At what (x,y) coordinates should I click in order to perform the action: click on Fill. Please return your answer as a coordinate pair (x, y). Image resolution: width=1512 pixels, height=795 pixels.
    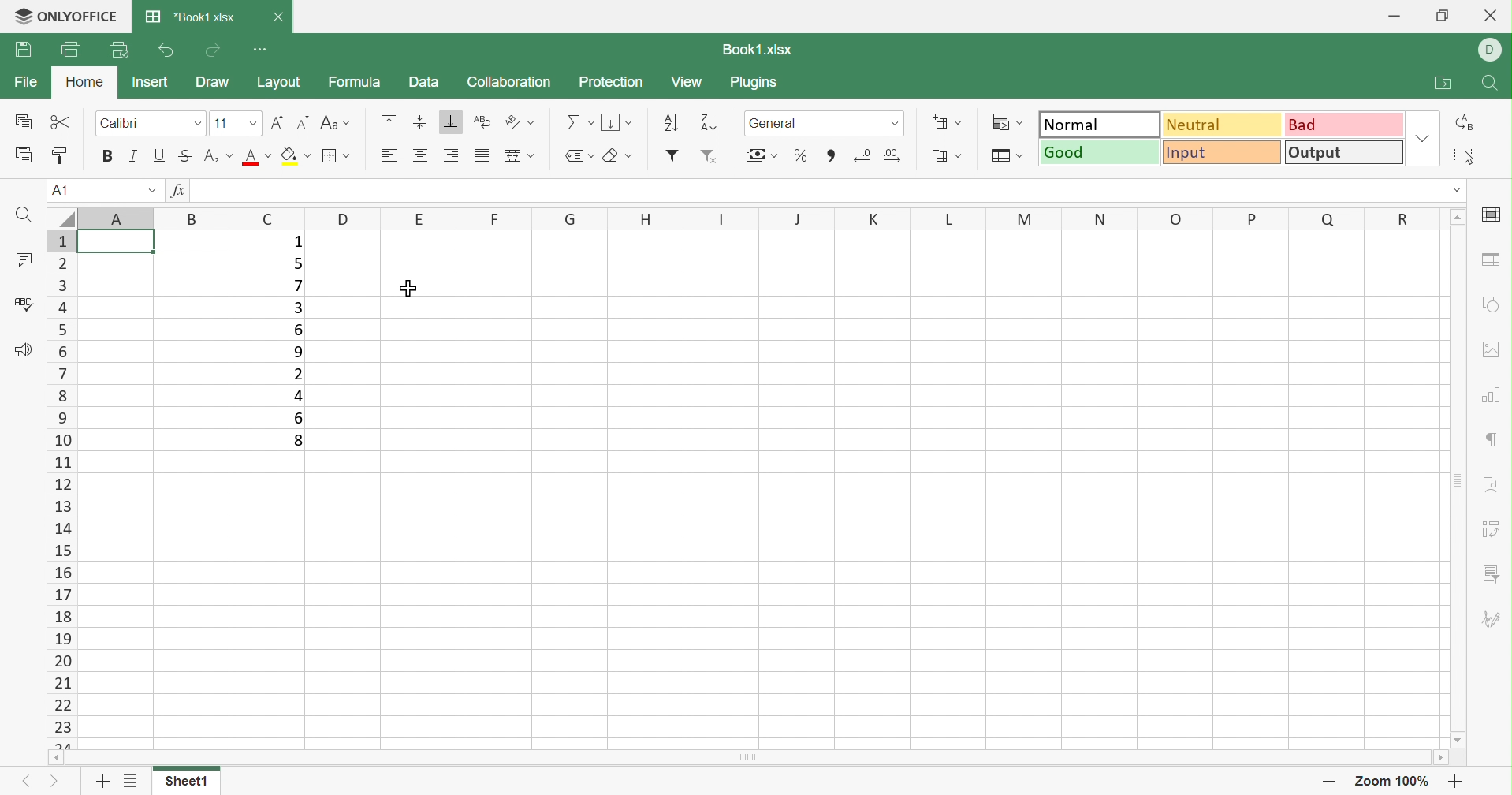
    Looking at the image, I should click on (616, 121).